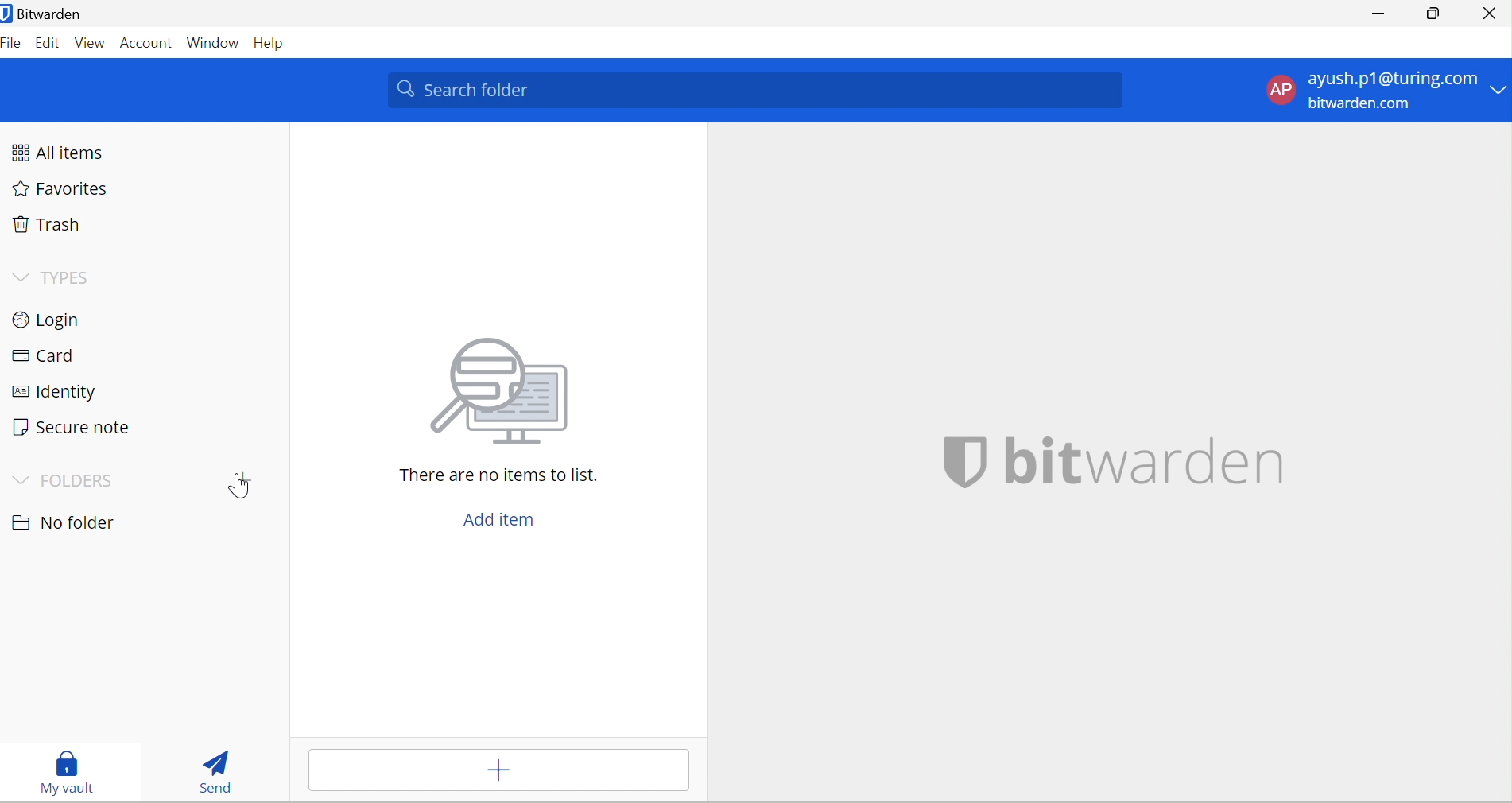  What do you see at coordinates (508, 517) in the screenshot?
I see `Add item` at bounding box center [508, 517].